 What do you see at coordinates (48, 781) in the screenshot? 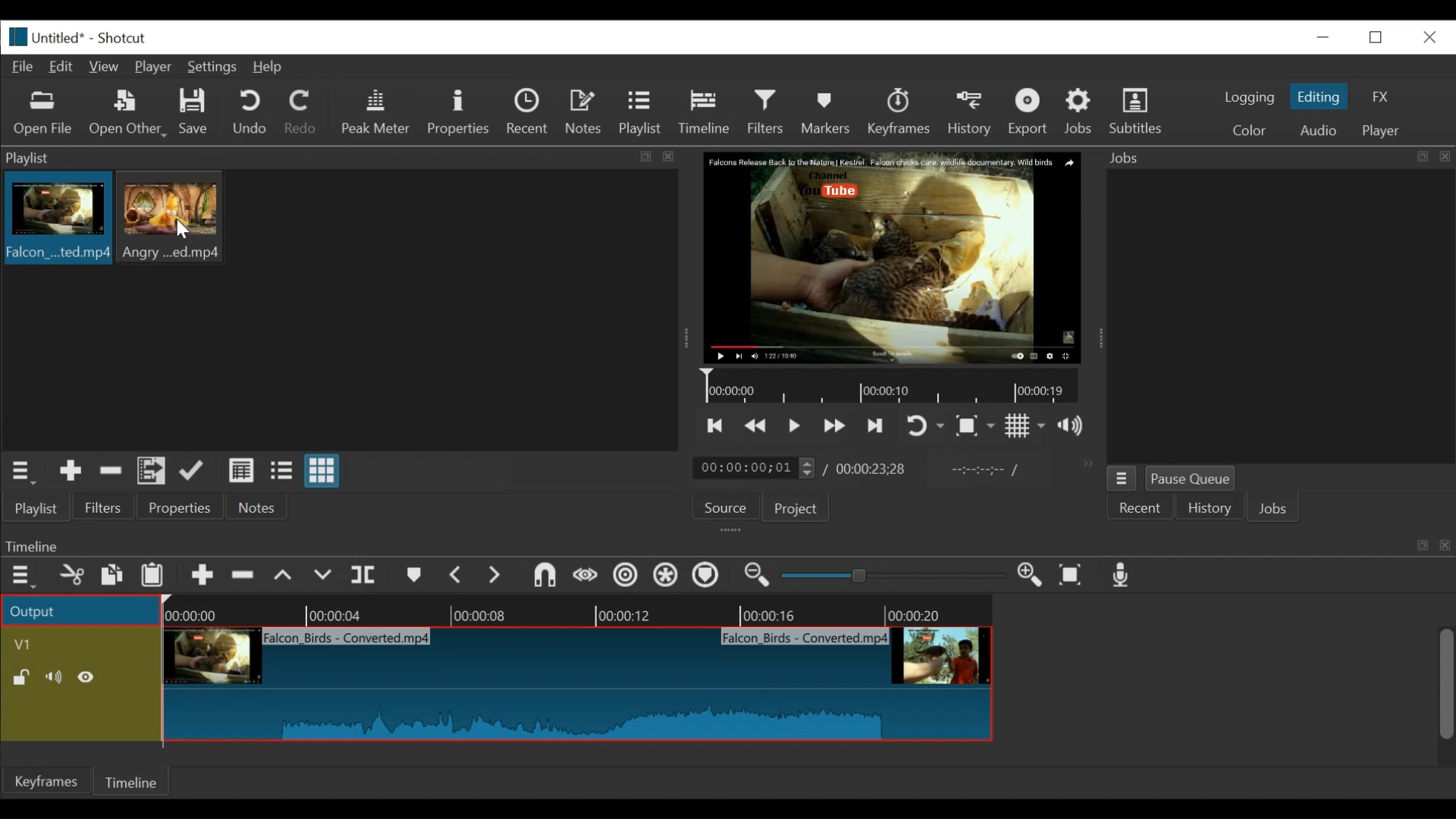
I see `Keyframes` at bounding box center [48, 781].